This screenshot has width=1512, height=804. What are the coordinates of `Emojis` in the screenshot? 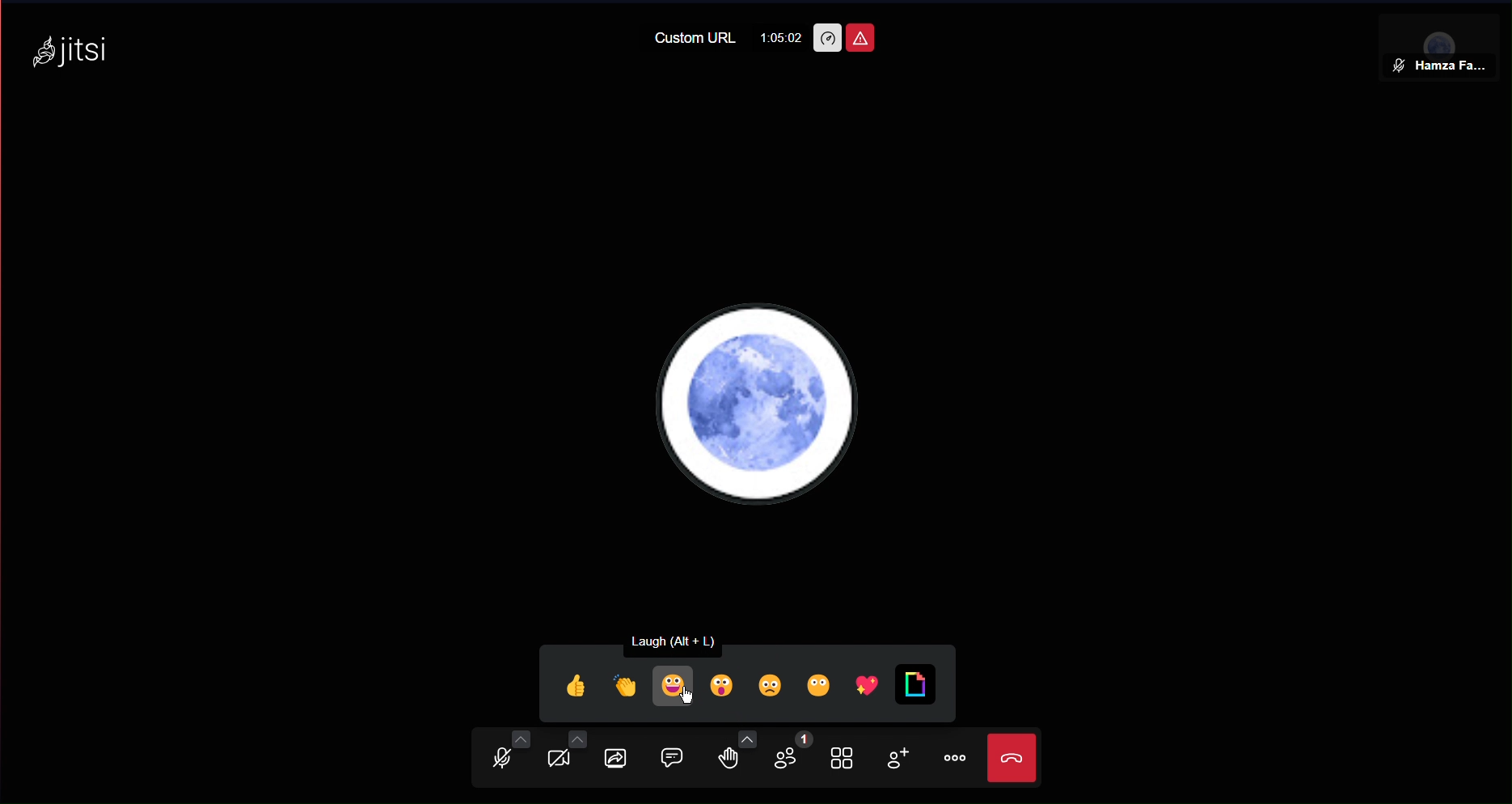 It's located at (741, 682).